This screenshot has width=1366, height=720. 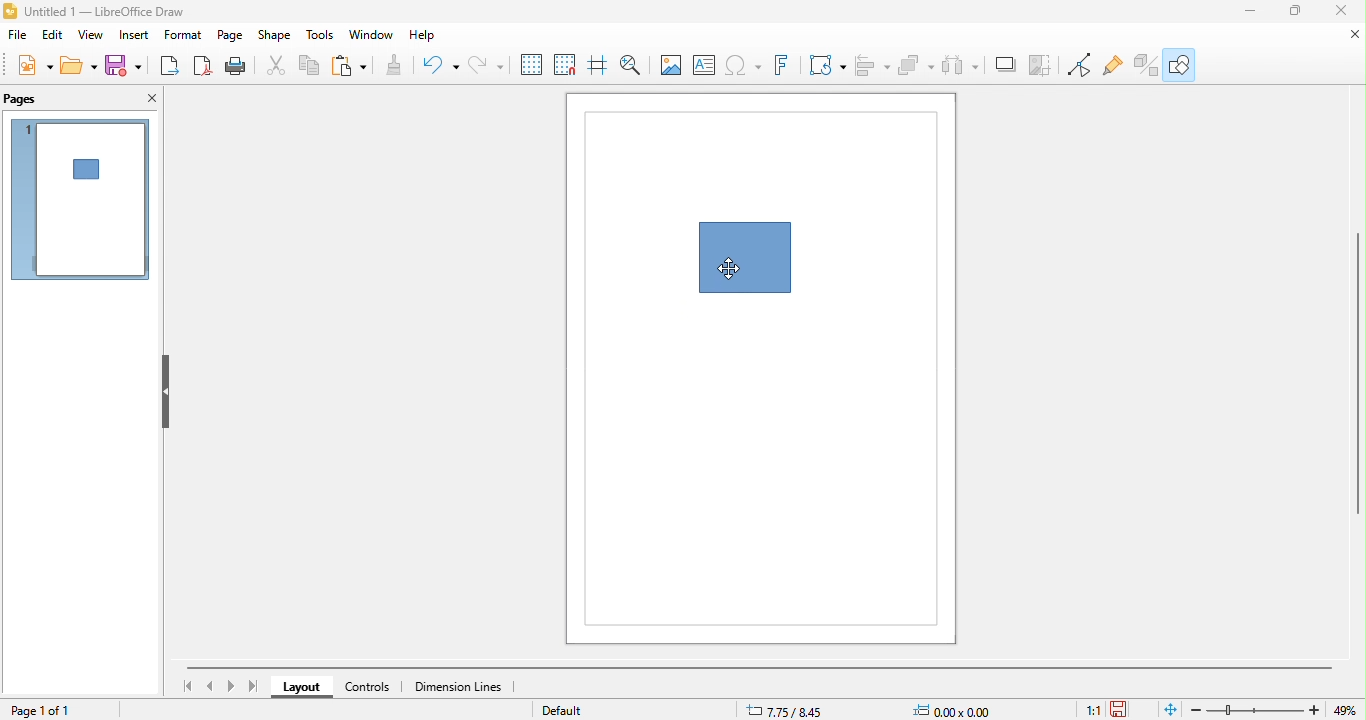 I want to click on shape, so click(x=275, y=37).